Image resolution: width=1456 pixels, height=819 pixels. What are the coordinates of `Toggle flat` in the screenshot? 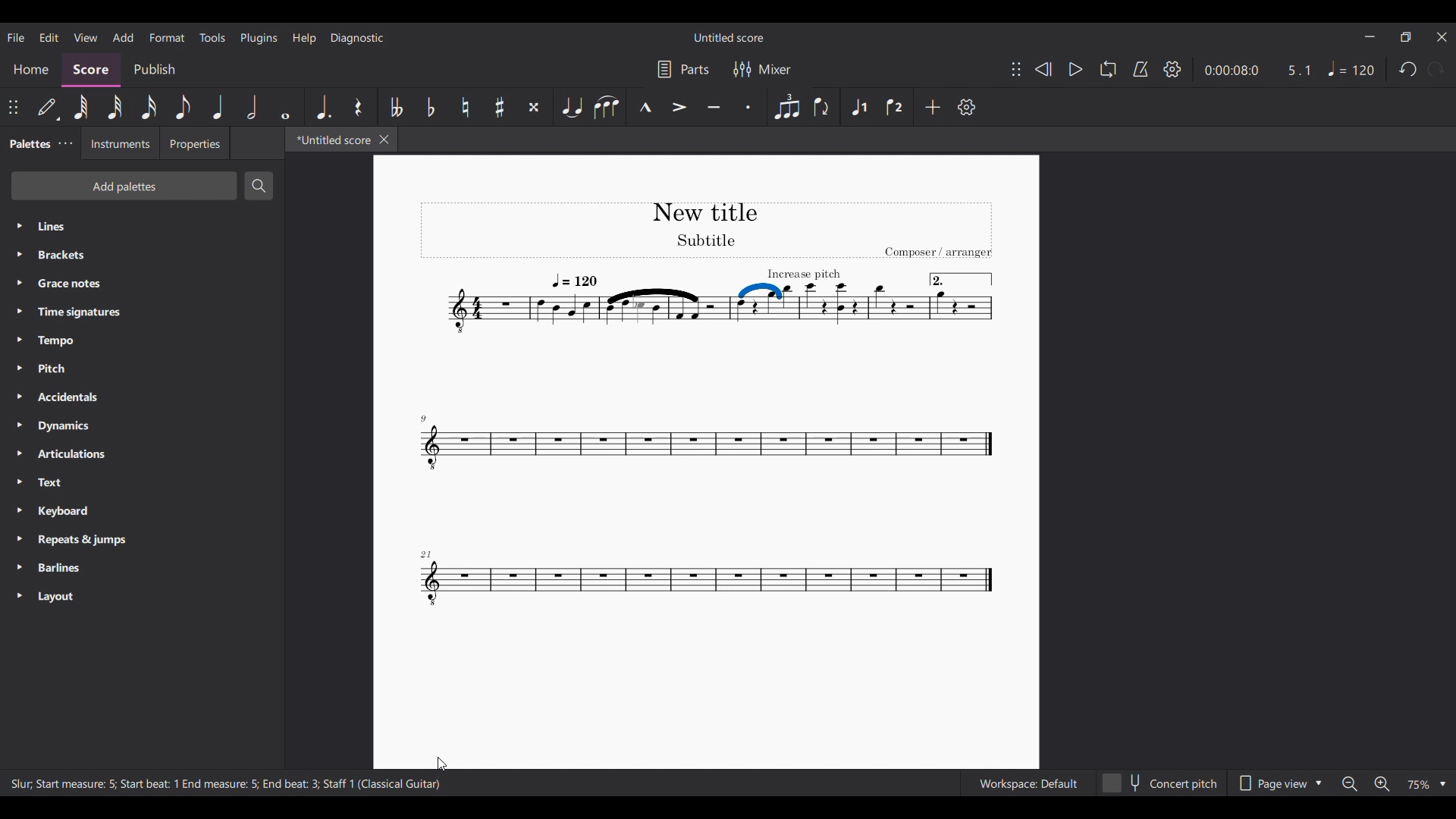 It's located at (431, 107).